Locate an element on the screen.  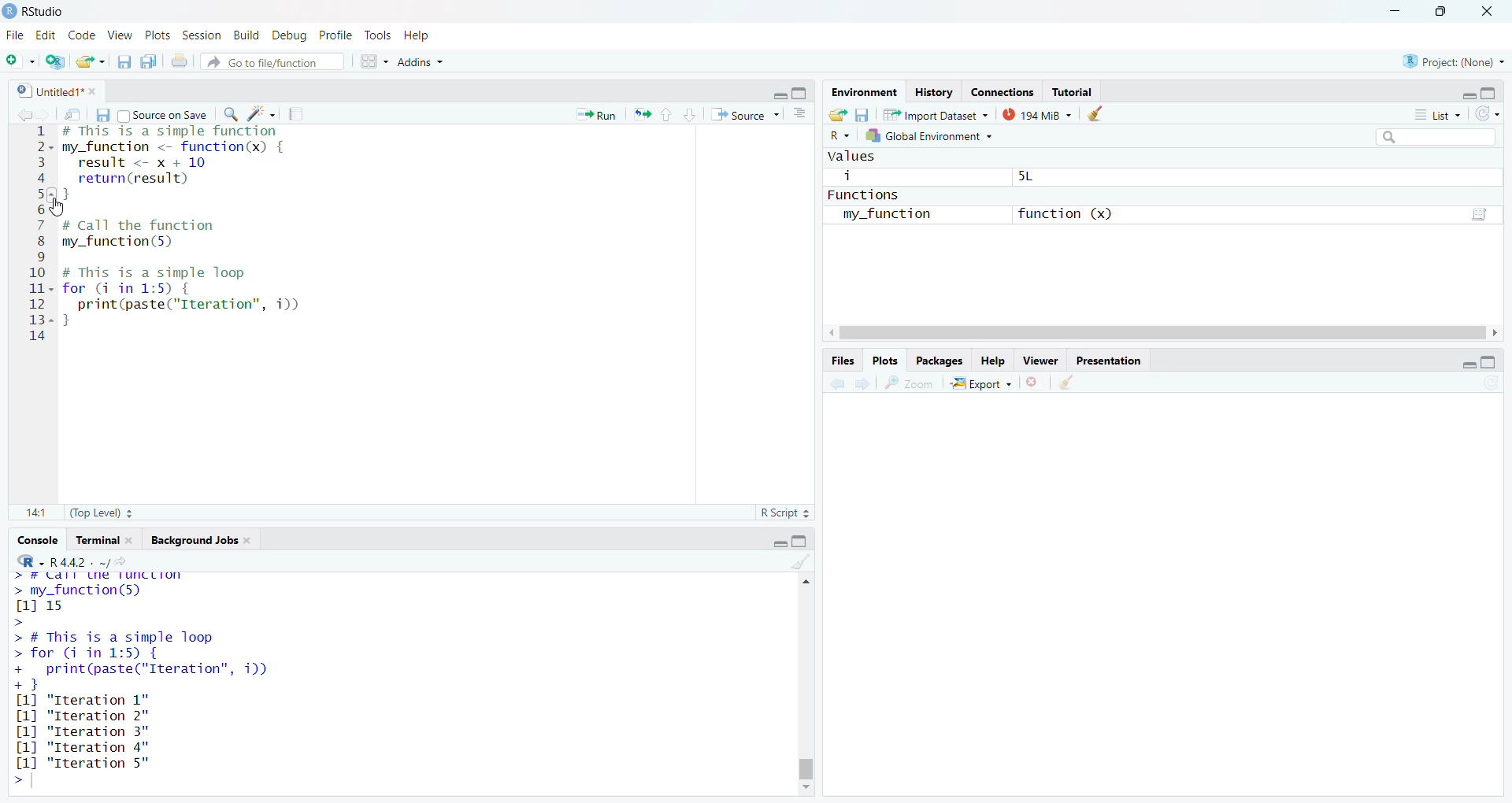
5L is located at coordinates (1036, 178).